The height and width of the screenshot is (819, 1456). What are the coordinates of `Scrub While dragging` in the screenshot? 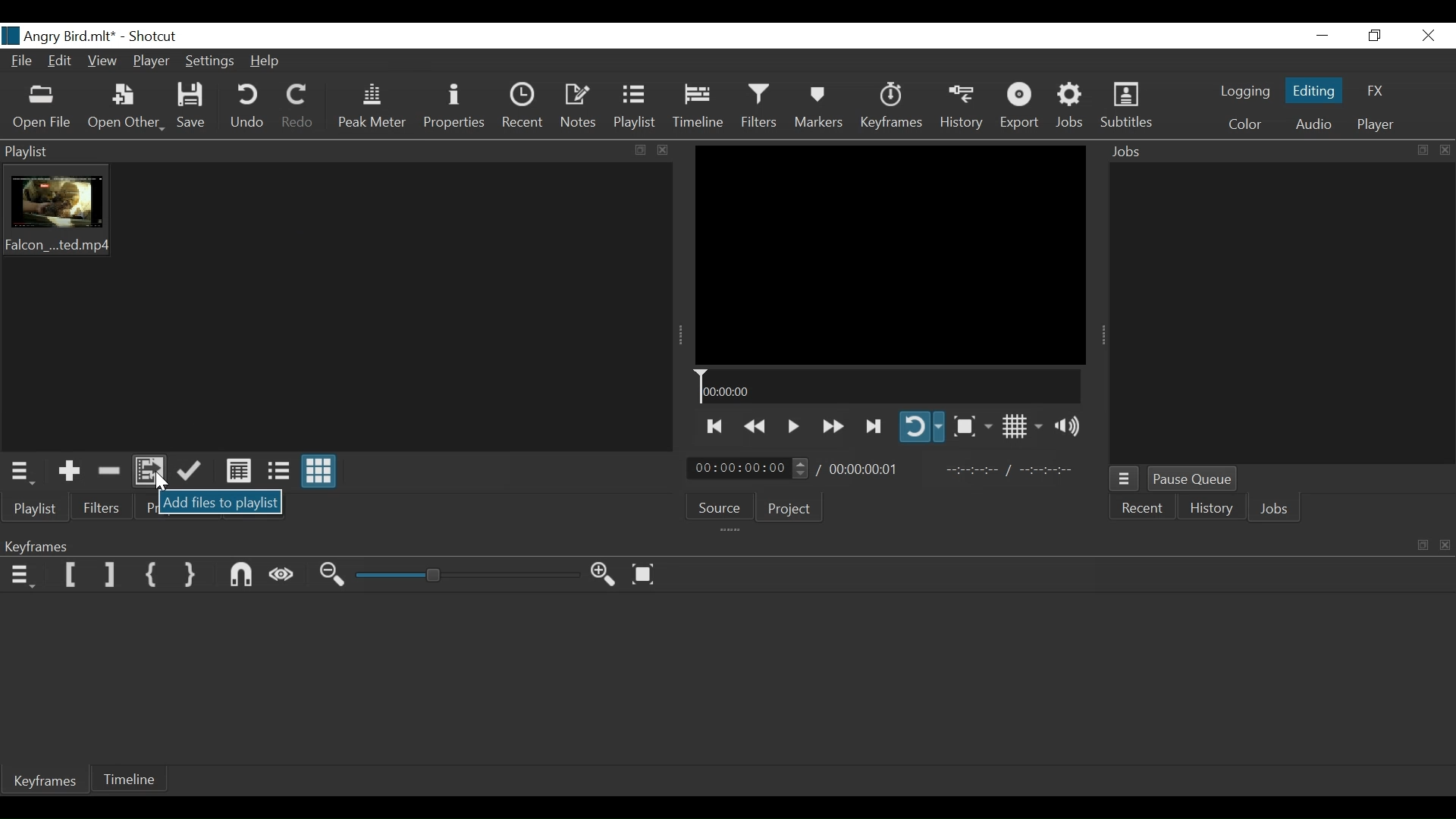 It's located at (284, 576).